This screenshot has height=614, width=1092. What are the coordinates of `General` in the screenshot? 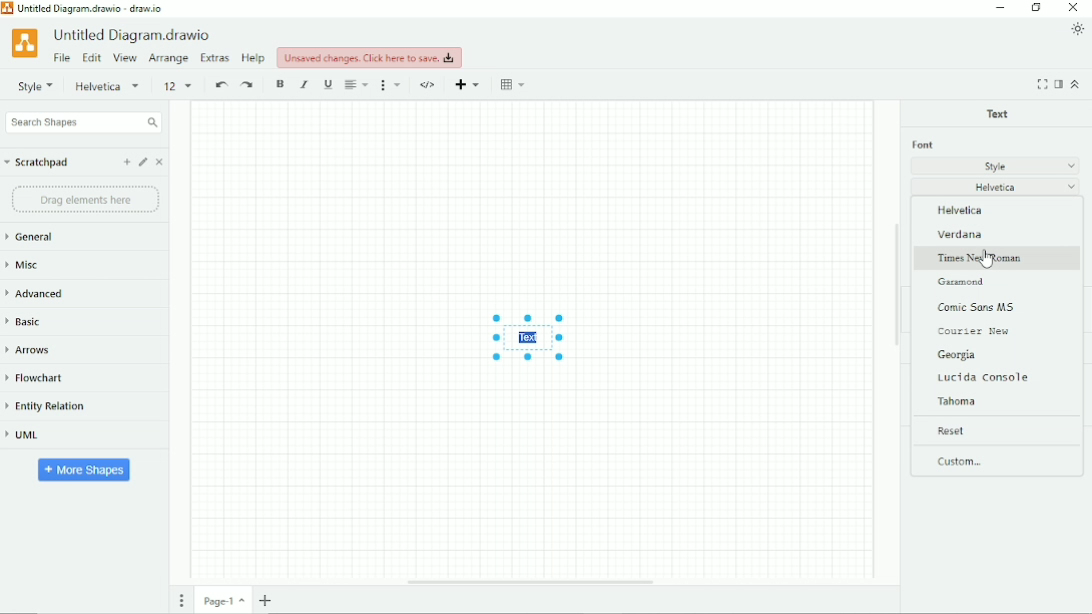 It's located at (37, 237).